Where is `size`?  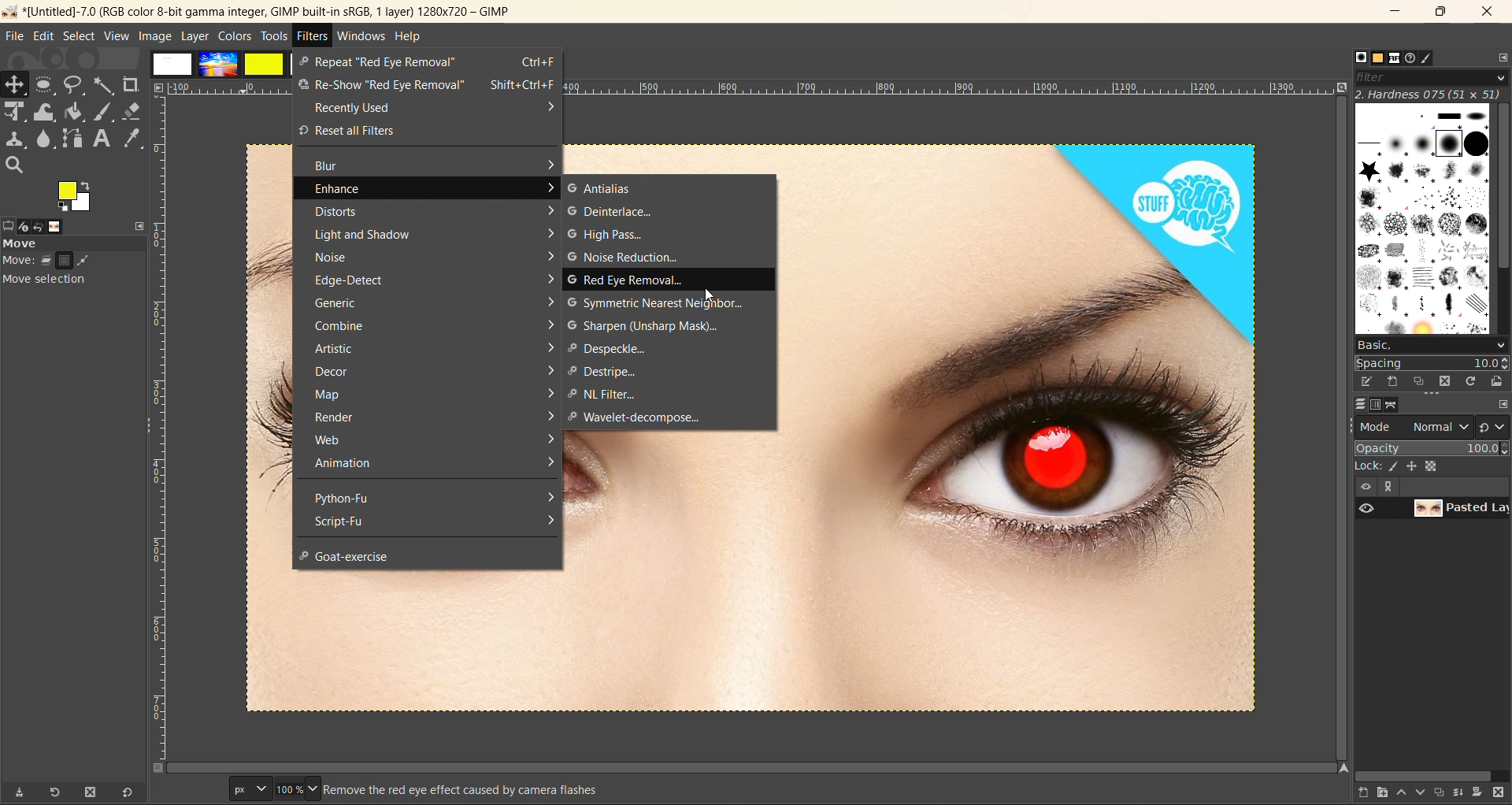
size is located at coordinates (1435, 466).